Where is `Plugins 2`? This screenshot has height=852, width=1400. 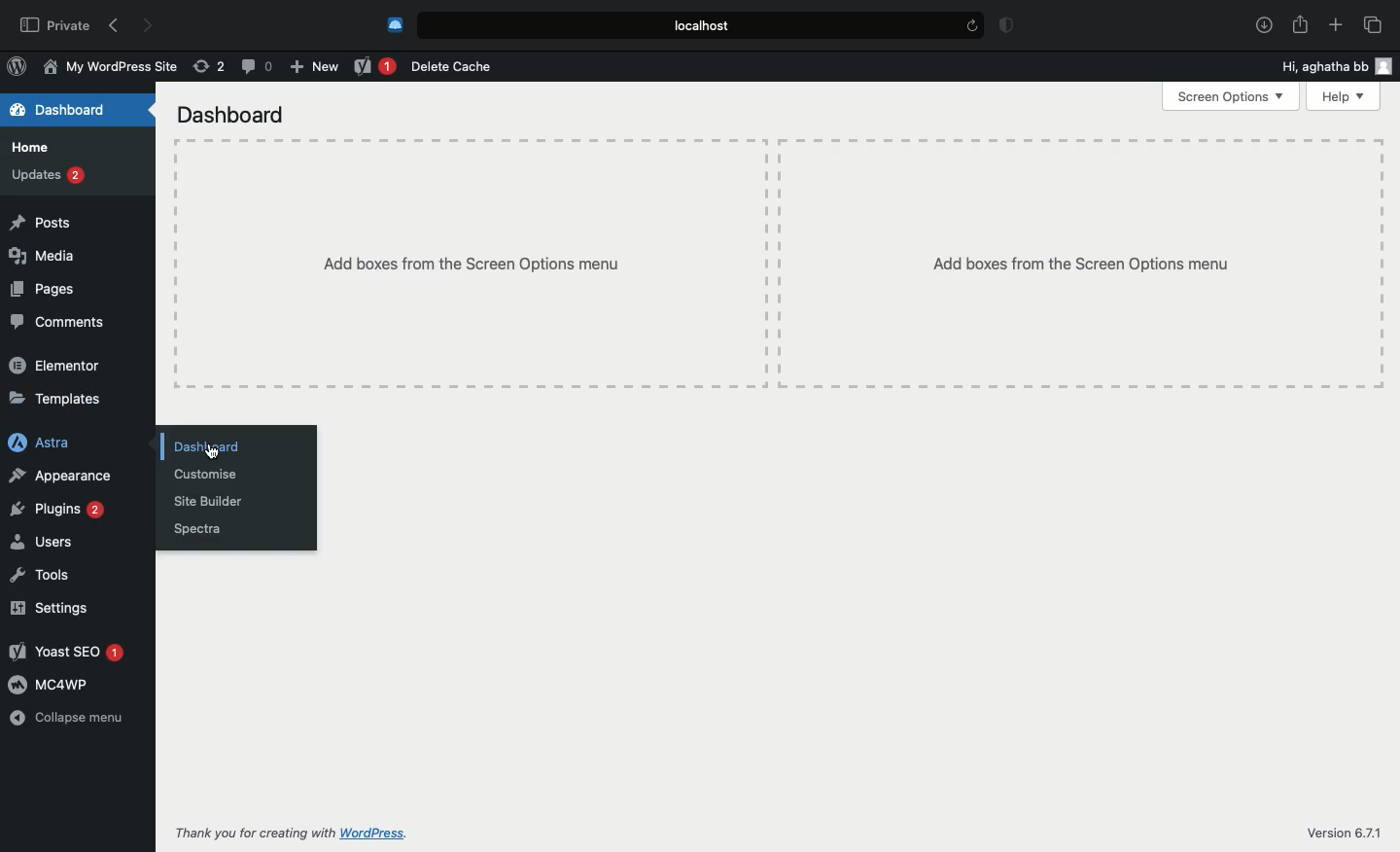
Plugins 2 is located at coordinates (59, 510).